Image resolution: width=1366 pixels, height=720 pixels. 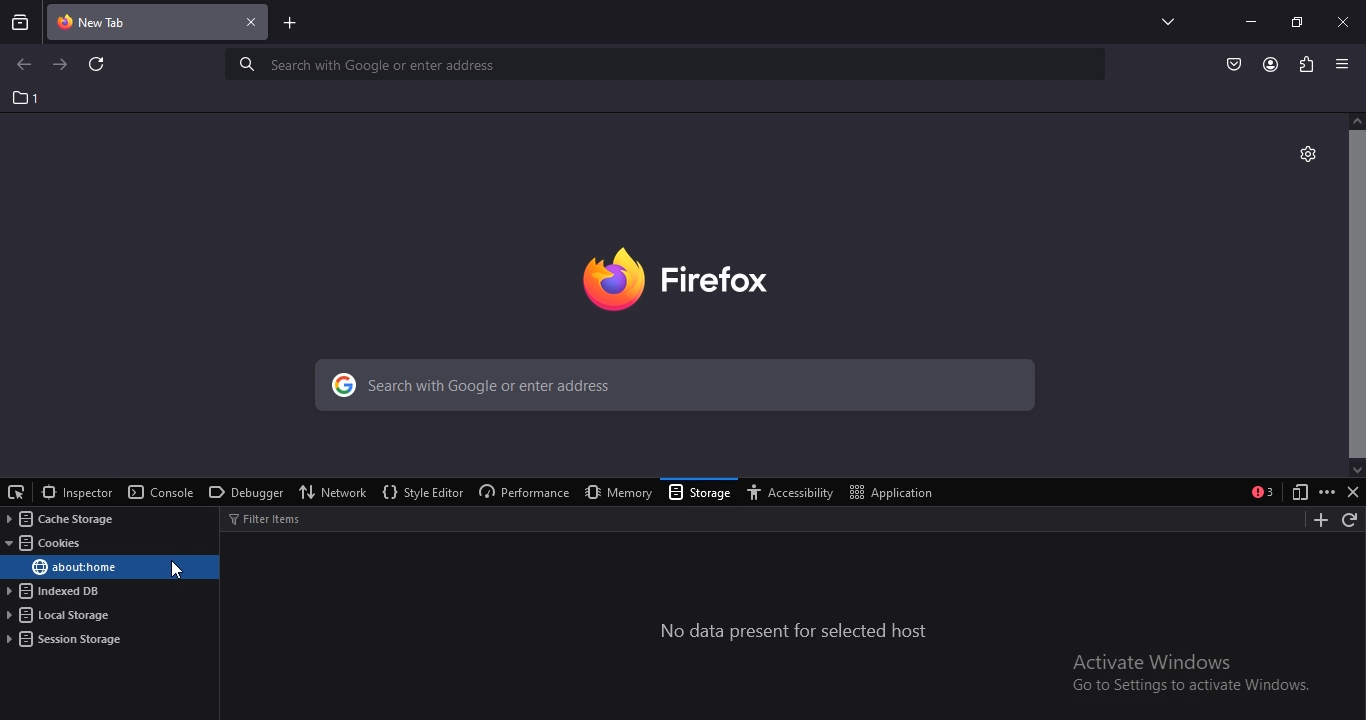 I want to click on filter items, so click(x=276, y=518).